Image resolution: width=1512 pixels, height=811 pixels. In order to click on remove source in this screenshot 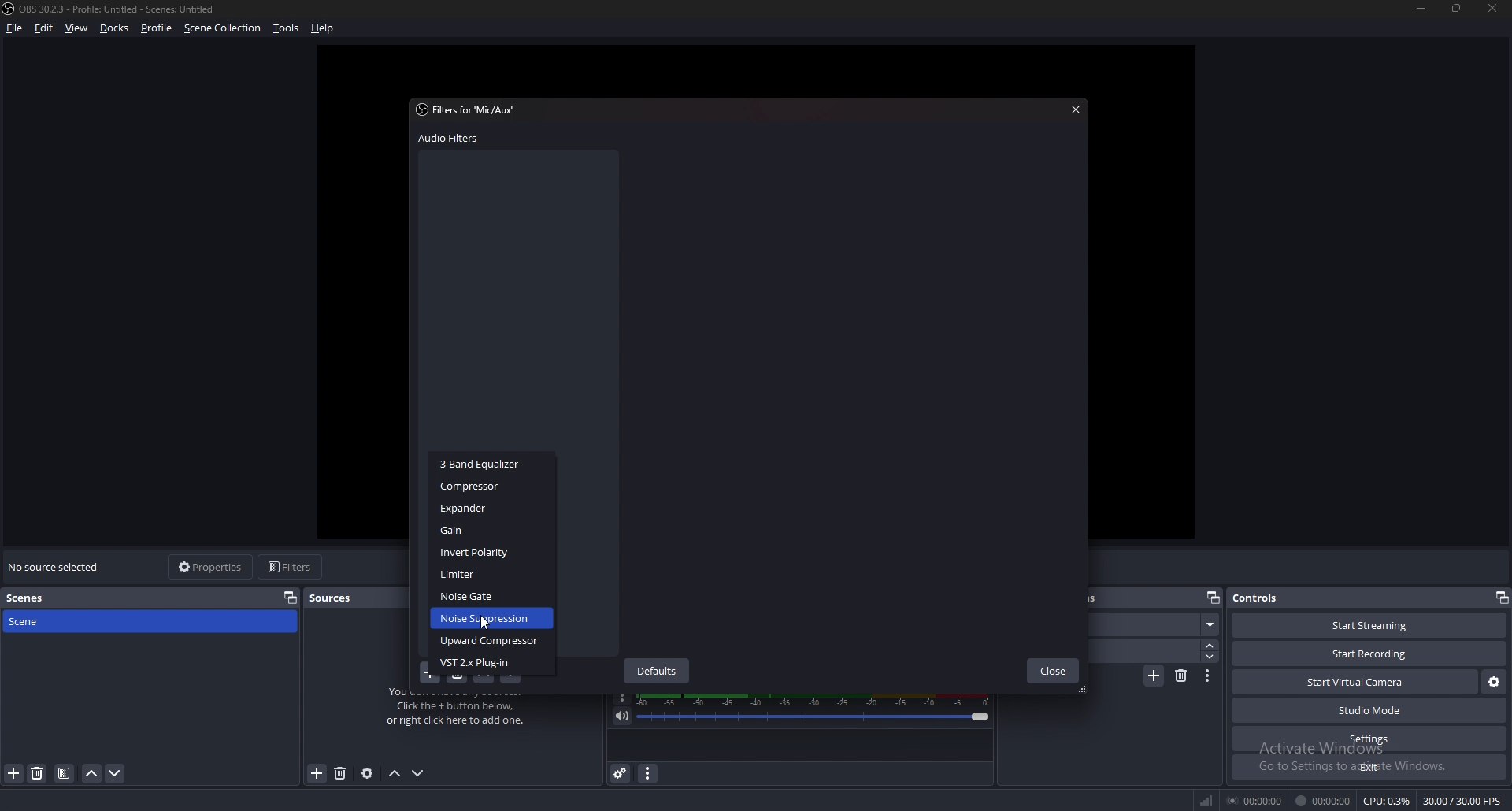, I will do `click(317, 773)`.